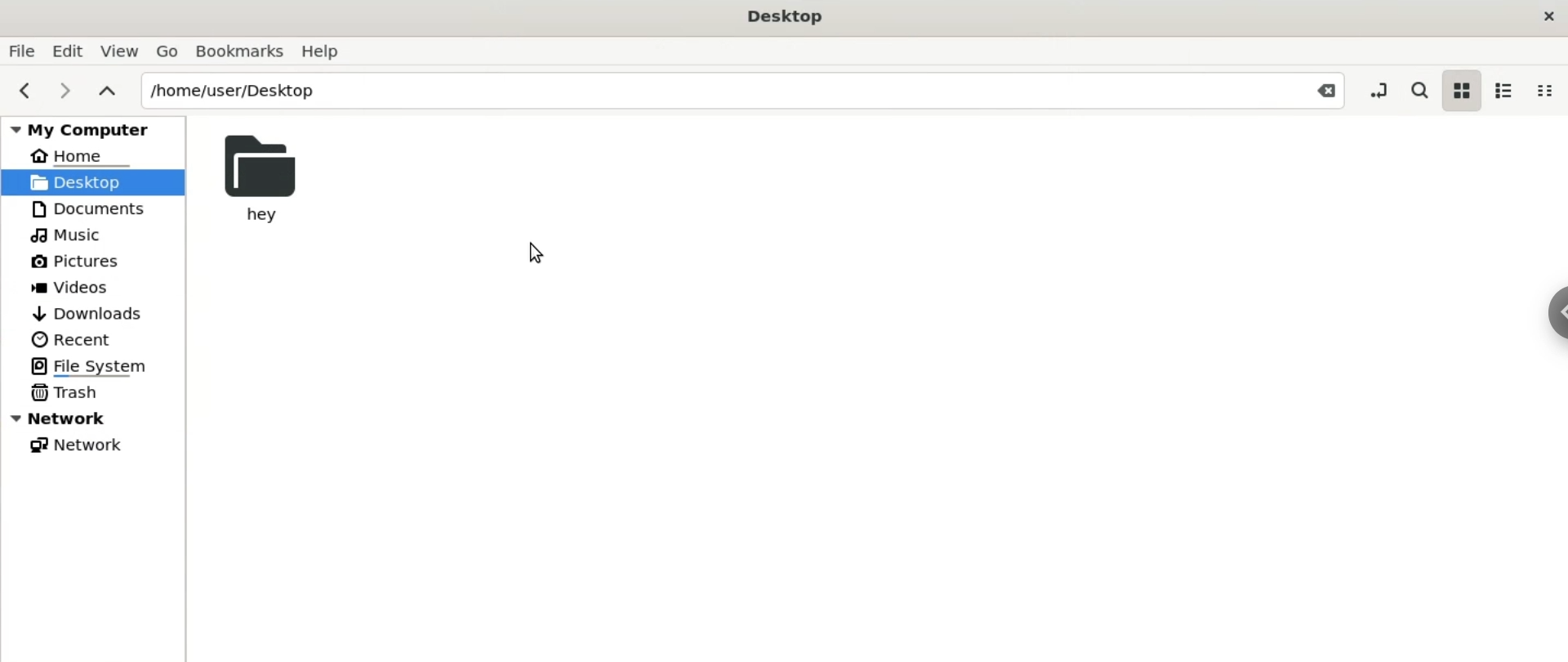  I want to click on file, so click(24, 49).